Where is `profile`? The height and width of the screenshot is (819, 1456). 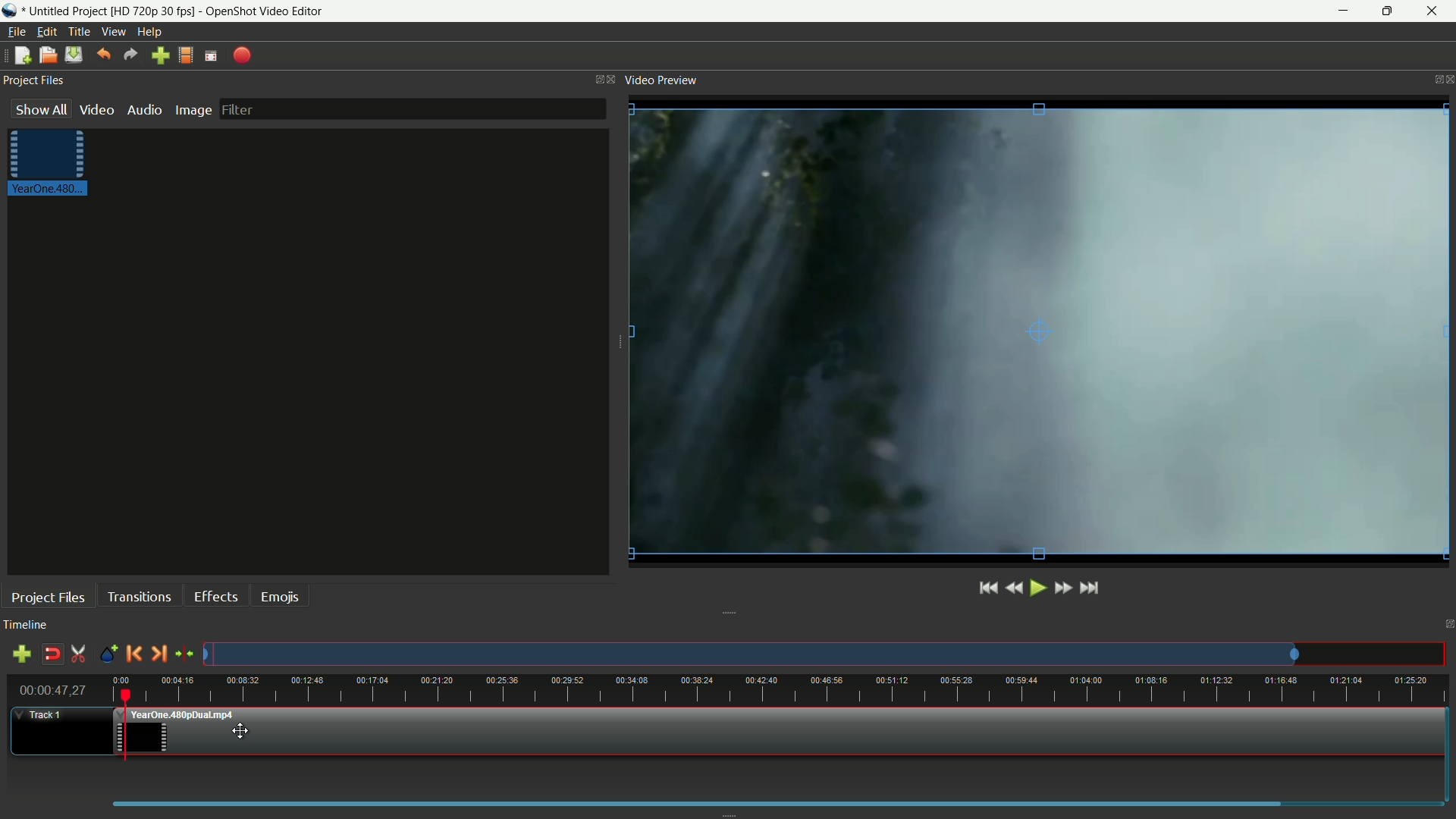 profile is located at coordinates (184, 55).